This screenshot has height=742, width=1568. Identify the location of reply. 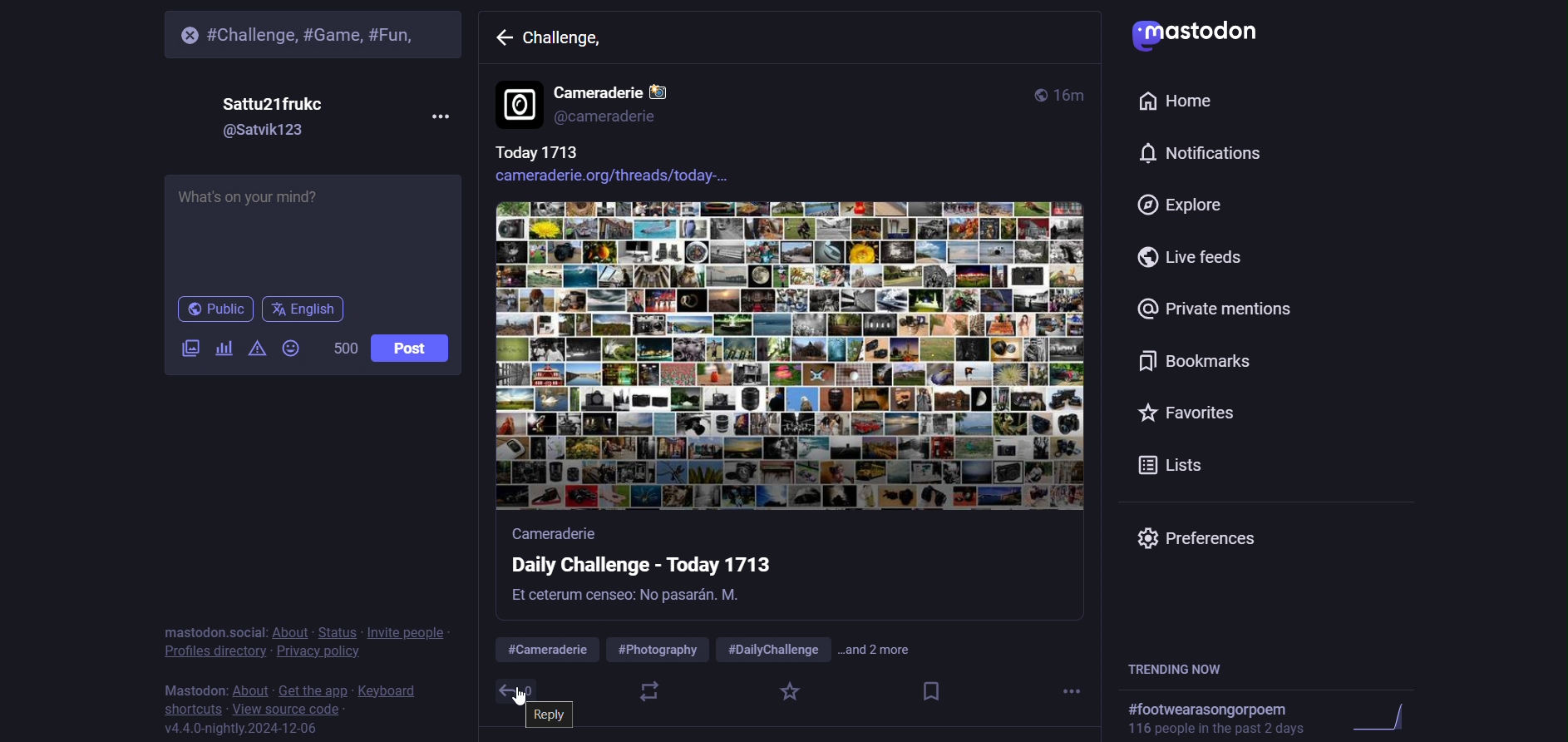
(507, 691).